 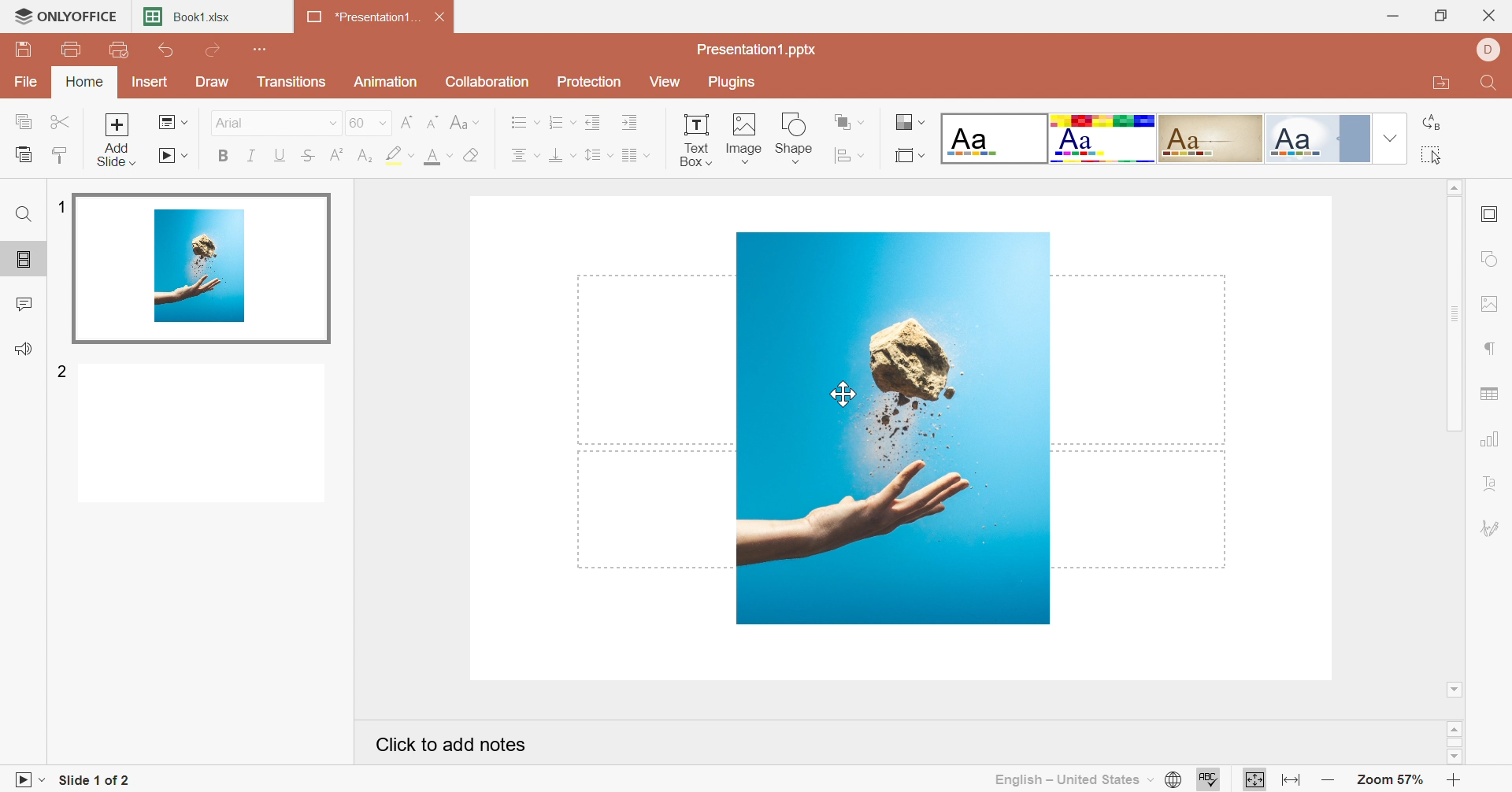 What do you see at coordinates (892, 428) in the screenshot?
I see `Image` at bounding box center [892, 428].